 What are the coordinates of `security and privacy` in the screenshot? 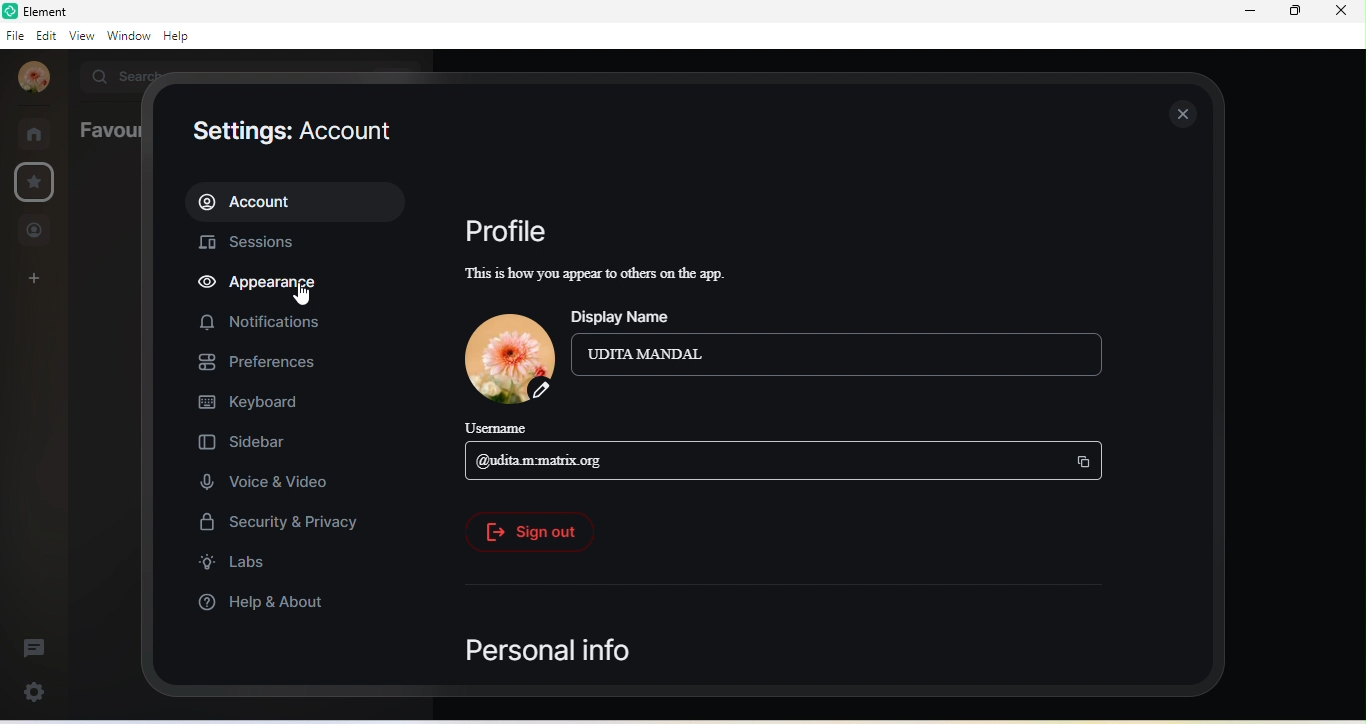 It's located at (277, 523).